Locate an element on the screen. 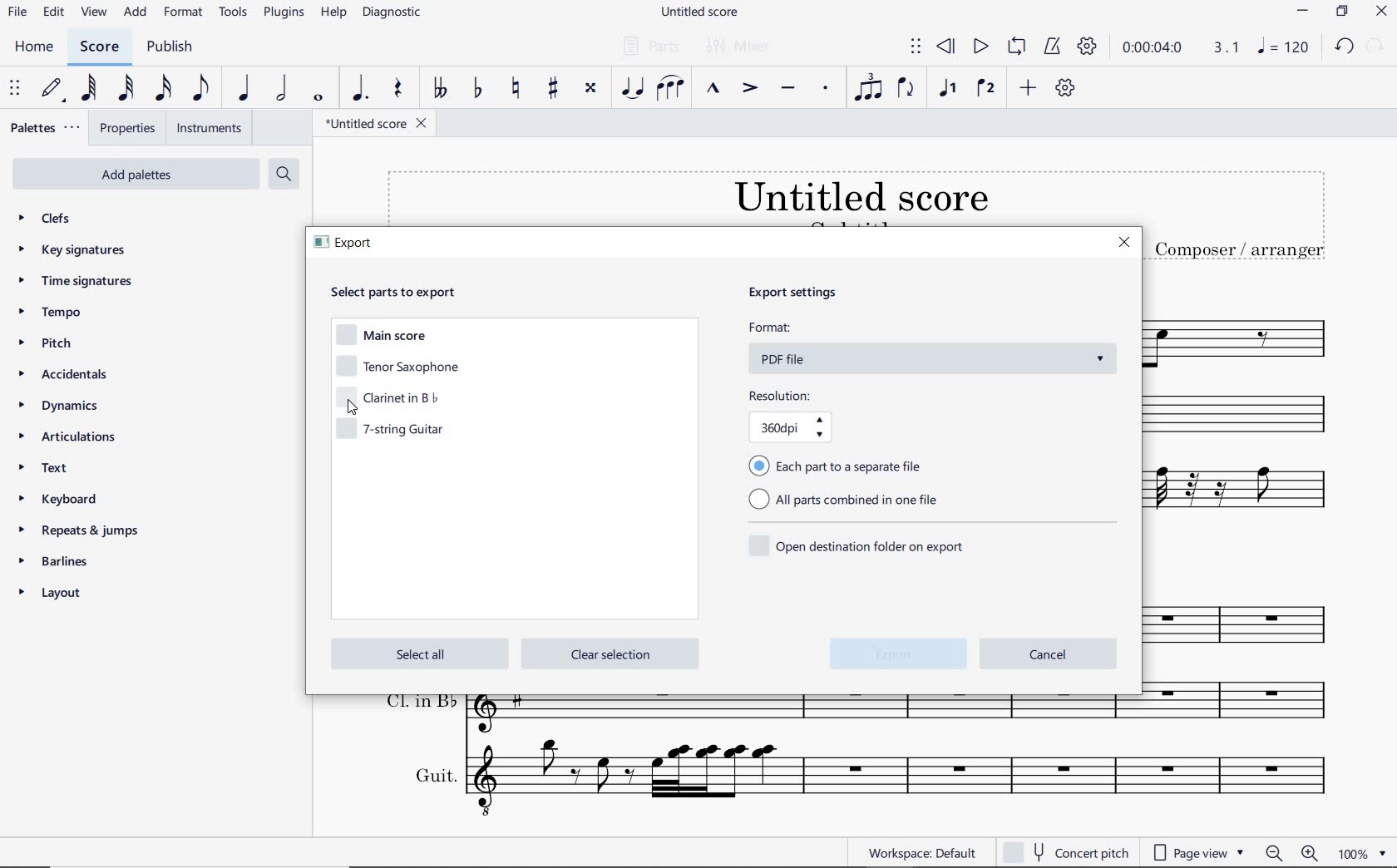 The image size is (1397, 868). PLAYBACK SETTINGS is located at coordinates (1089, 48).